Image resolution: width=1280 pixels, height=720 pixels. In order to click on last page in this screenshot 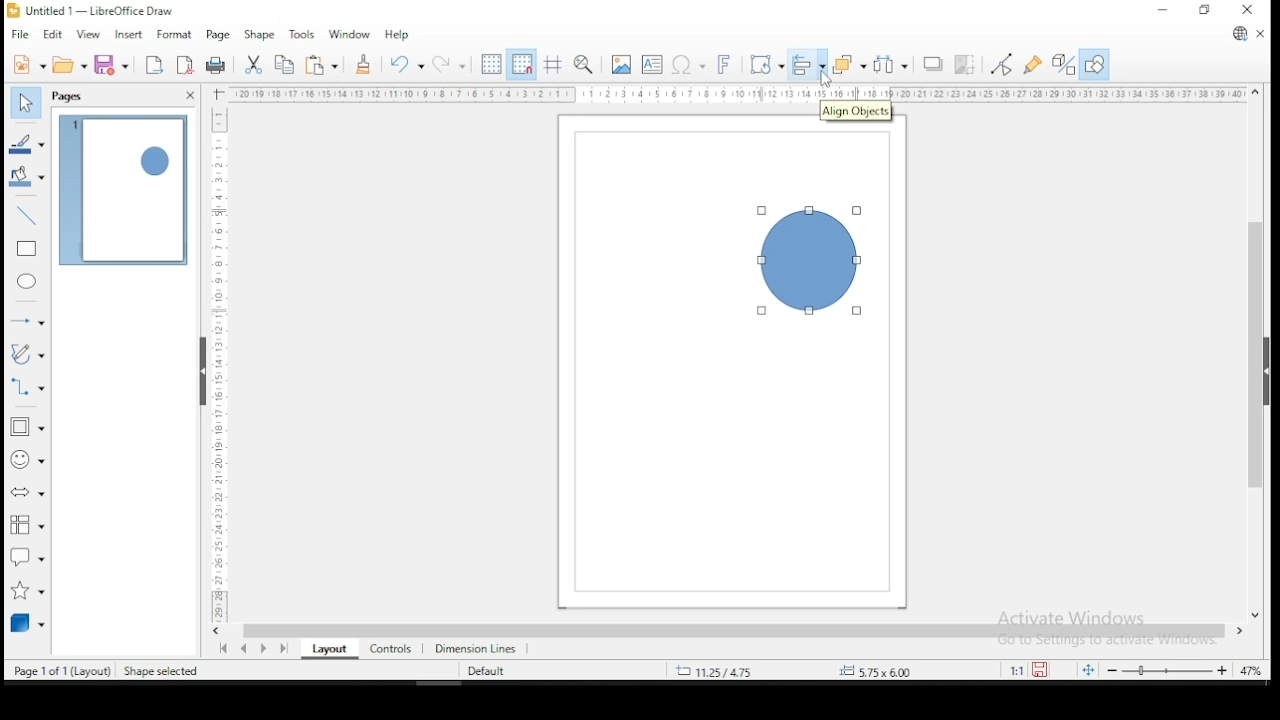, I will do `click(287, 647)`.